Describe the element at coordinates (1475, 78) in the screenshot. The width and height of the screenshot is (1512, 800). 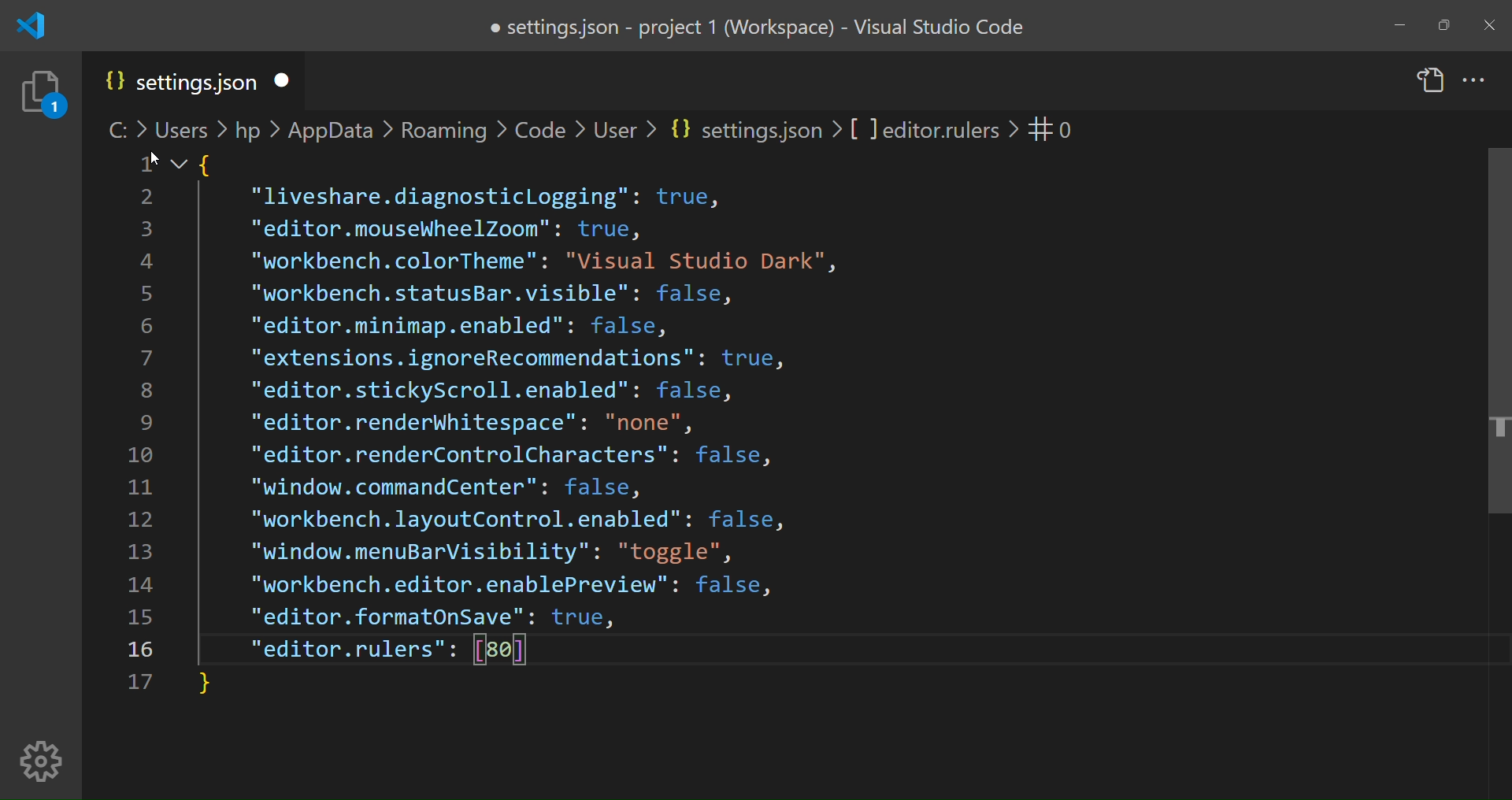
I see `more actions` at that location.